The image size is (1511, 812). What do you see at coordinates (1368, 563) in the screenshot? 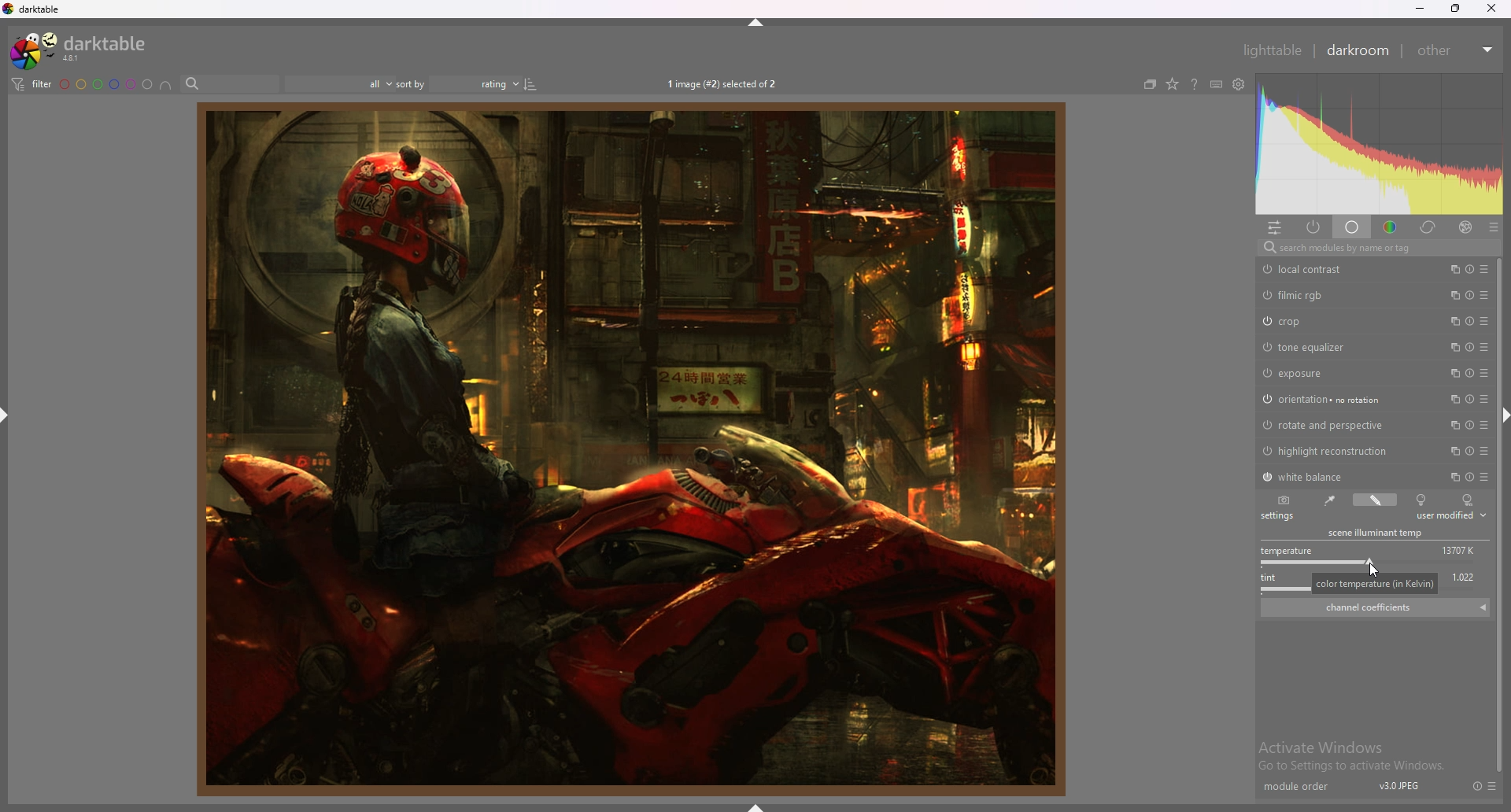
I see `temperature bar` at bounding box center [1368, 563].